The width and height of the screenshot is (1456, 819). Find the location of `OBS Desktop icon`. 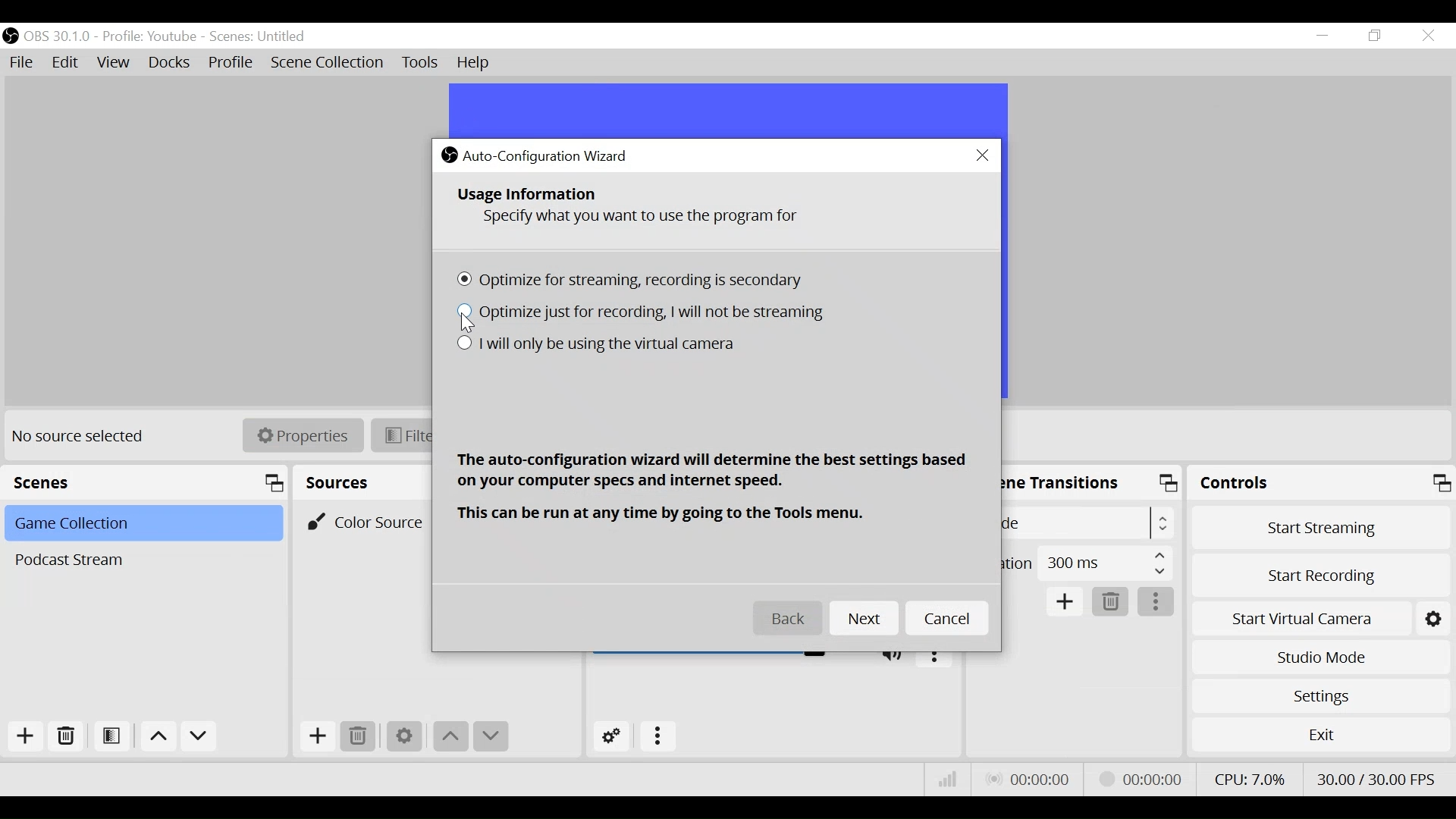

OBS Desktop icon is located at coordinates (11, 36).